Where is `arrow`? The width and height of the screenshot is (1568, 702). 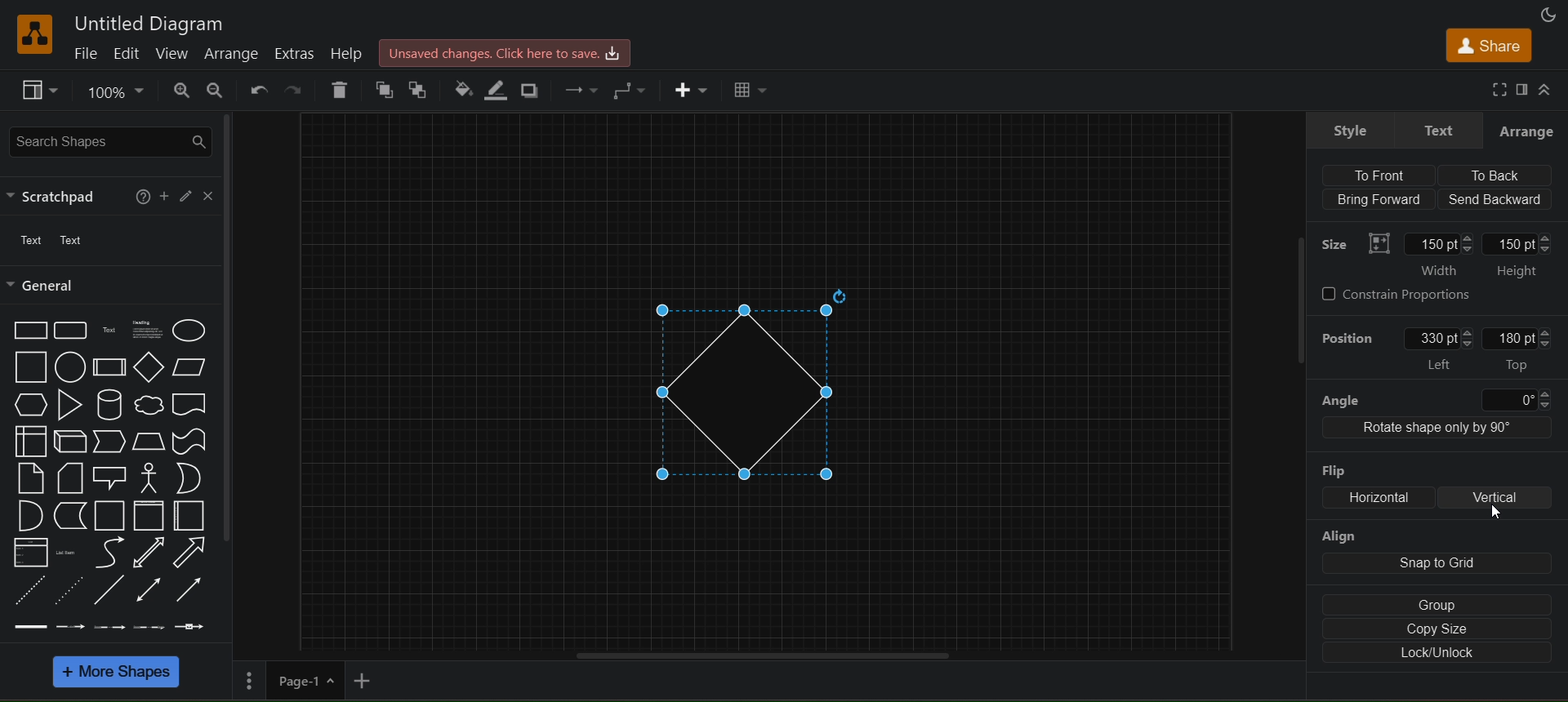 arrow is located at coordinates (193, 553).